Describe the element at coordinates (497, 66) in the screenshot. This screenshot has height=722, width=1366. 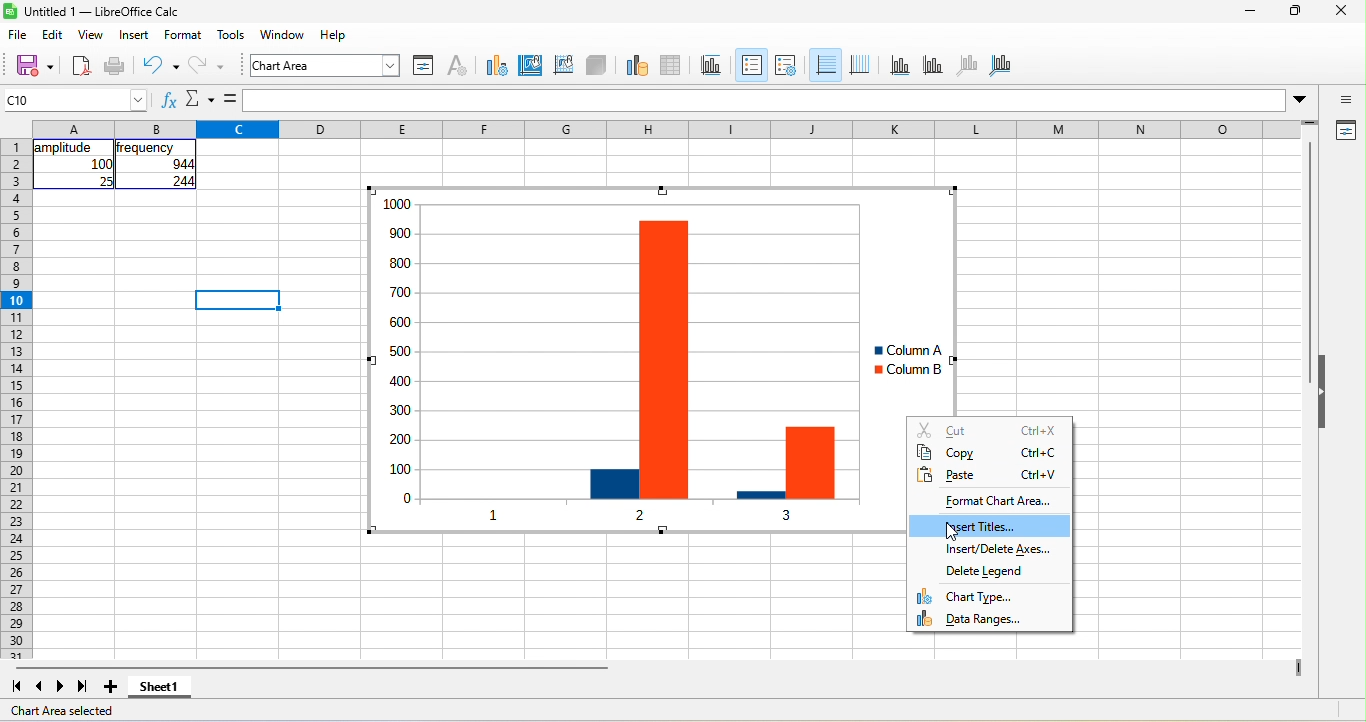
I see `chart type` at that location.